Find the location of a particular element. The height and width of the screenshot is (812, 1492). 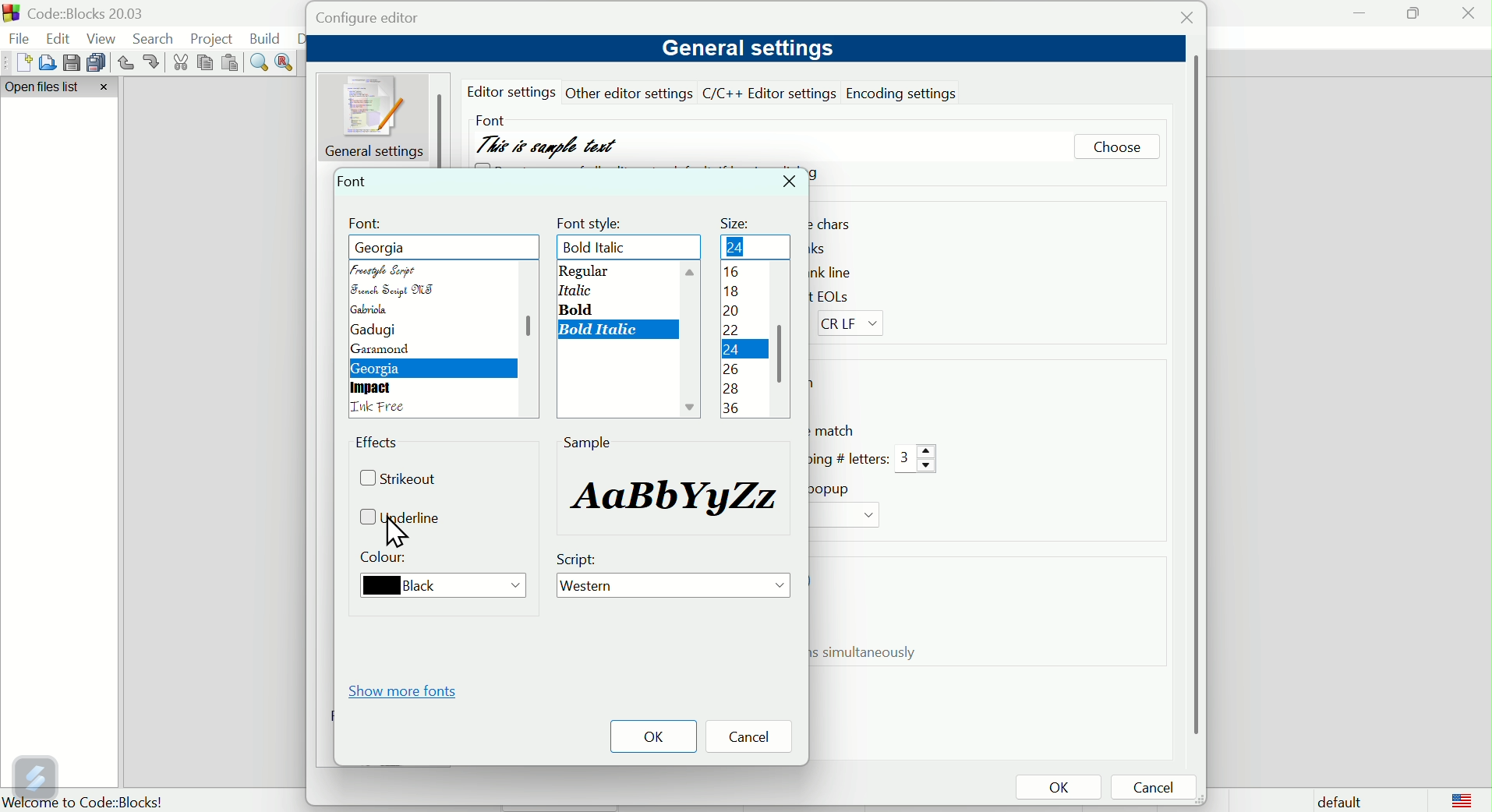

26 is located at coordinates (730, 369).